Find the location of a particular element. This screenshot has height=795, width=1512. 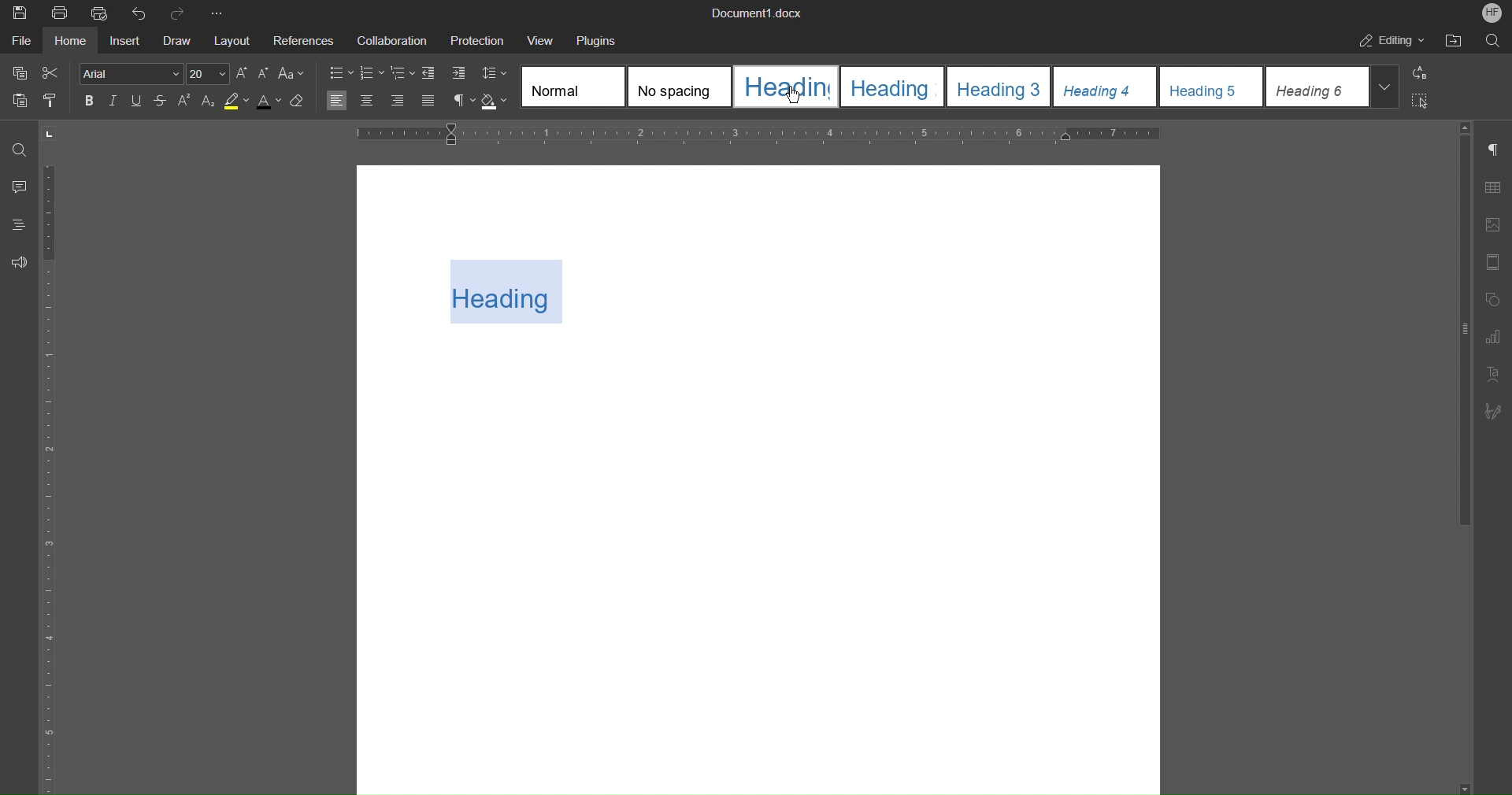

Increase Size is located at coordinates (241, 73).